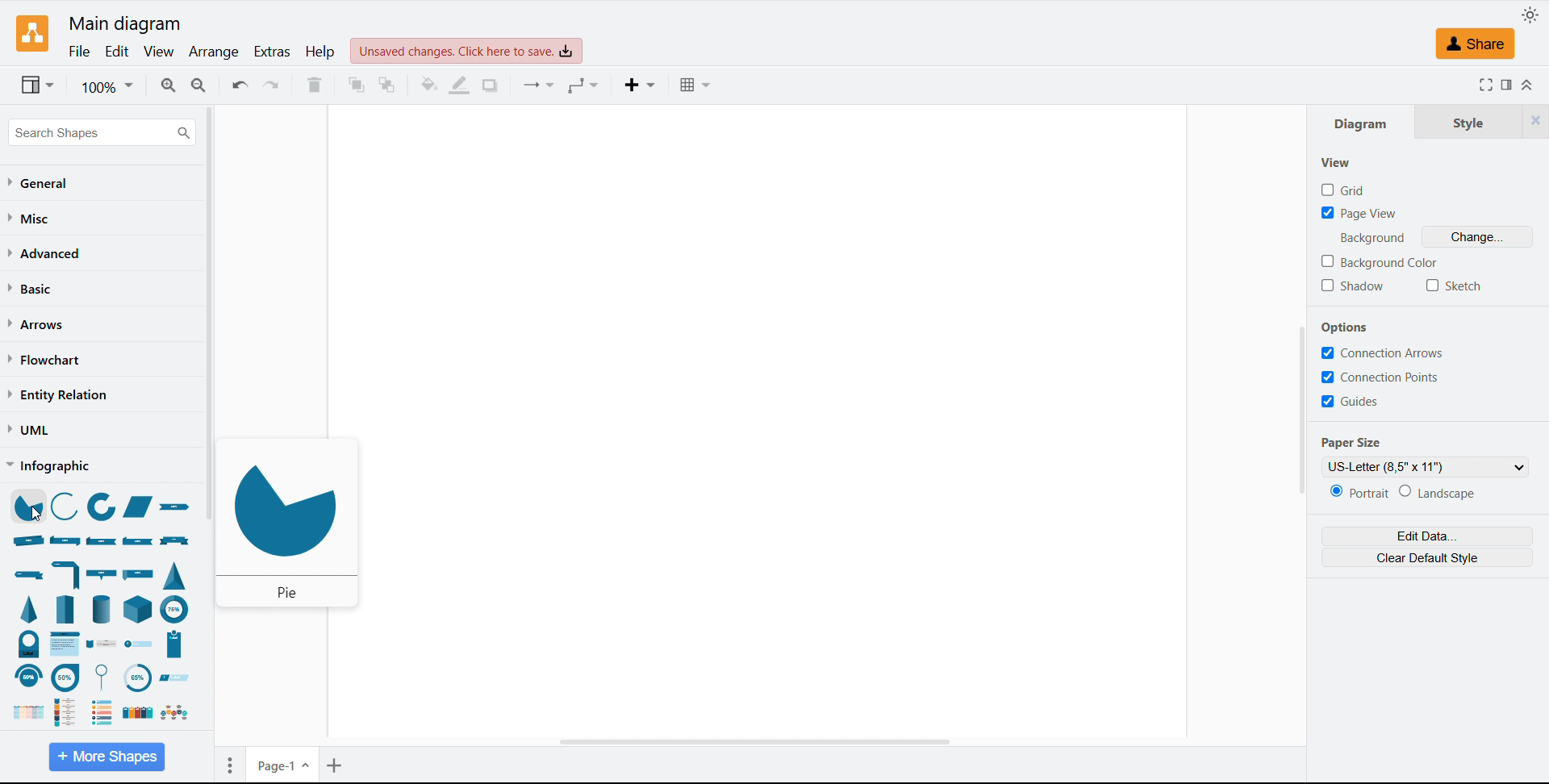 The width and height of the screenshot is (1549, 784). Describe the element at coordinates (387, 84) in the screenshot. I see `To back ` at that location.